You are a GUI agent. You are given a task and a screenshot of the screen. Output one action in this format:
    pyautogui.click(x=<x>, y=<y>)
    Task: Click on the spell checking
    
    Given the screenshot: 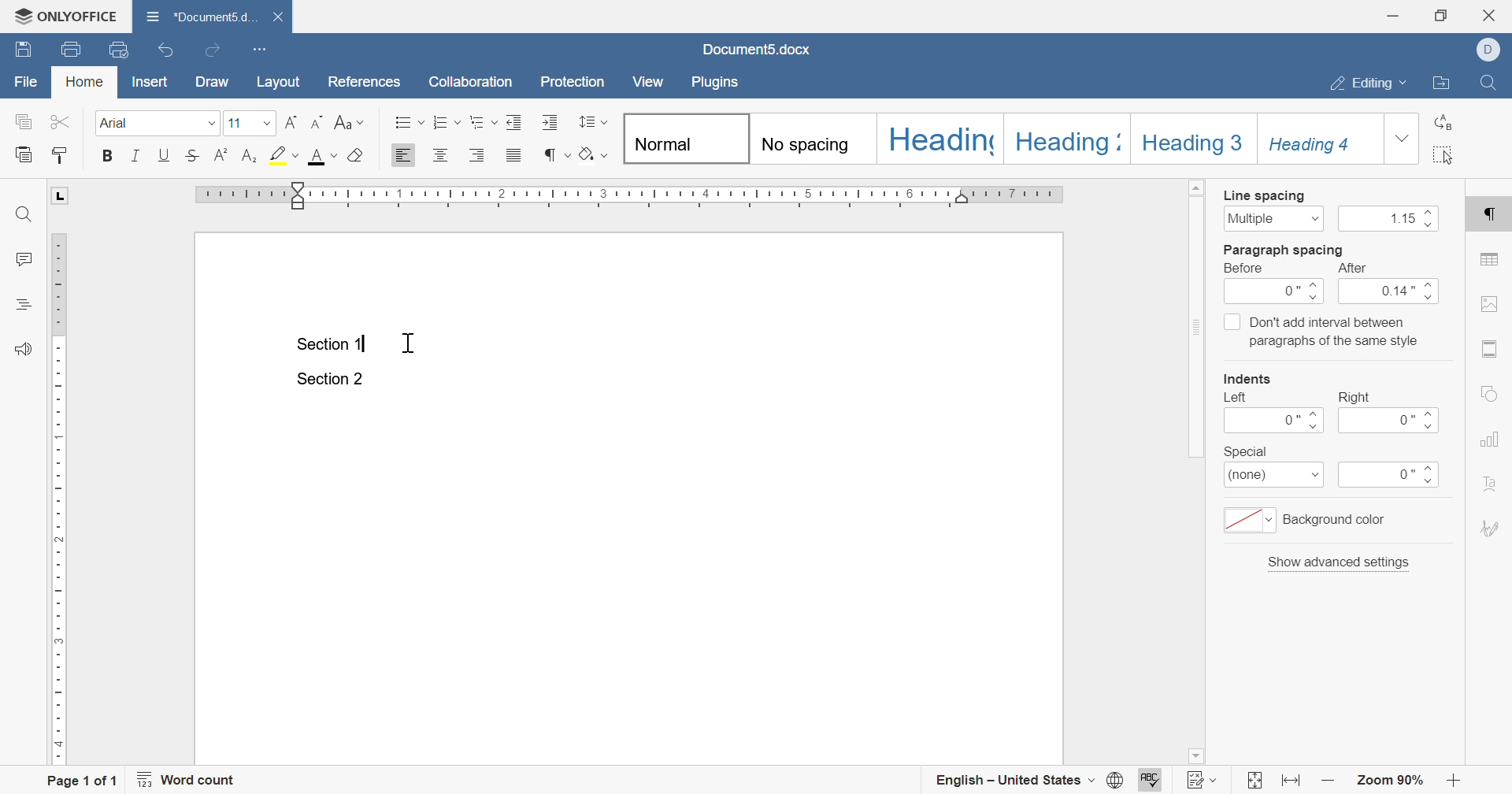 What is the action you would take?
    pyautogui.click(x=1153, y=779)
    